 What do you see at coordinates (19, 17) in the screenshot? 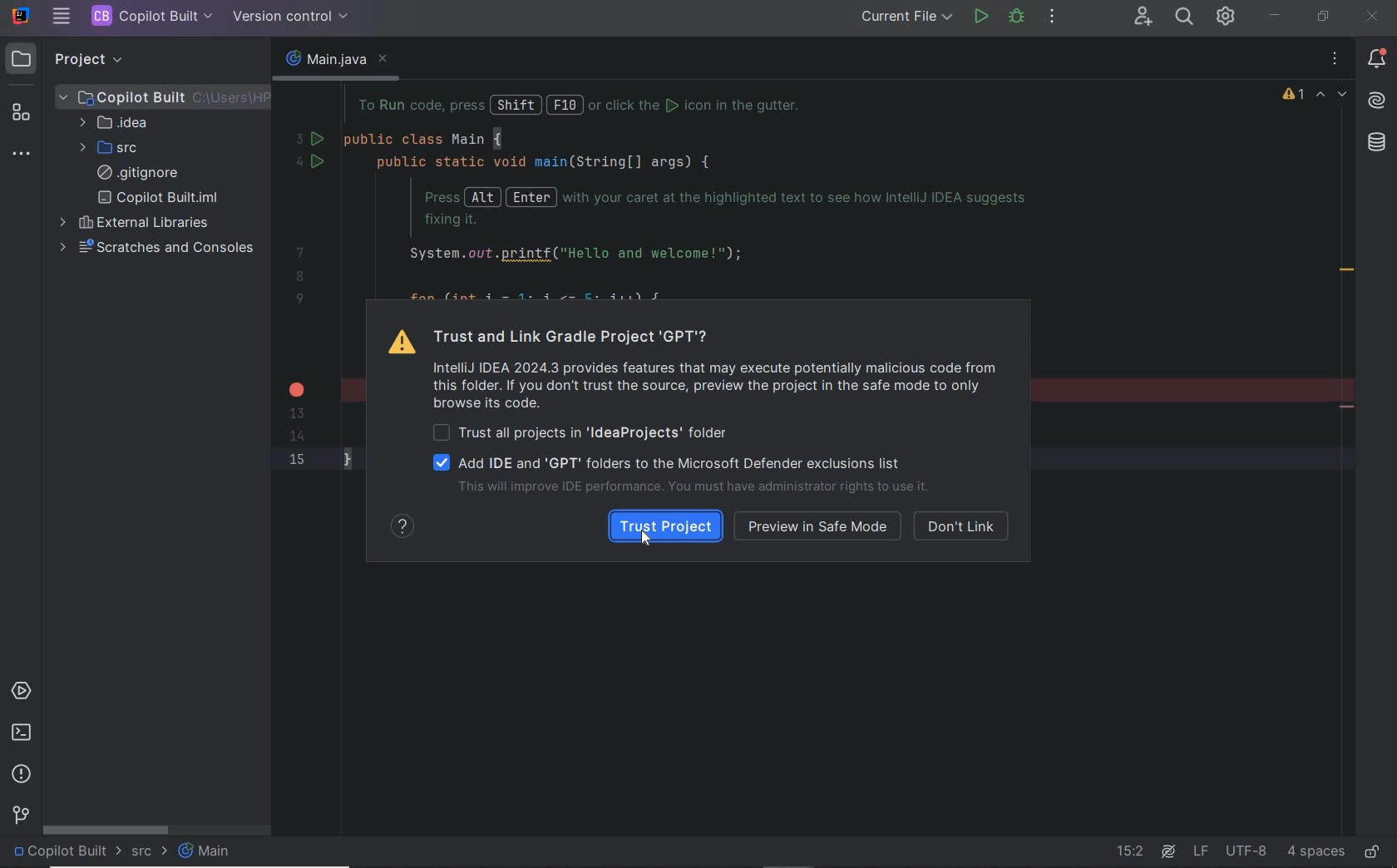
I see `SYSTEM NAME` at bounding box center [19, 17].